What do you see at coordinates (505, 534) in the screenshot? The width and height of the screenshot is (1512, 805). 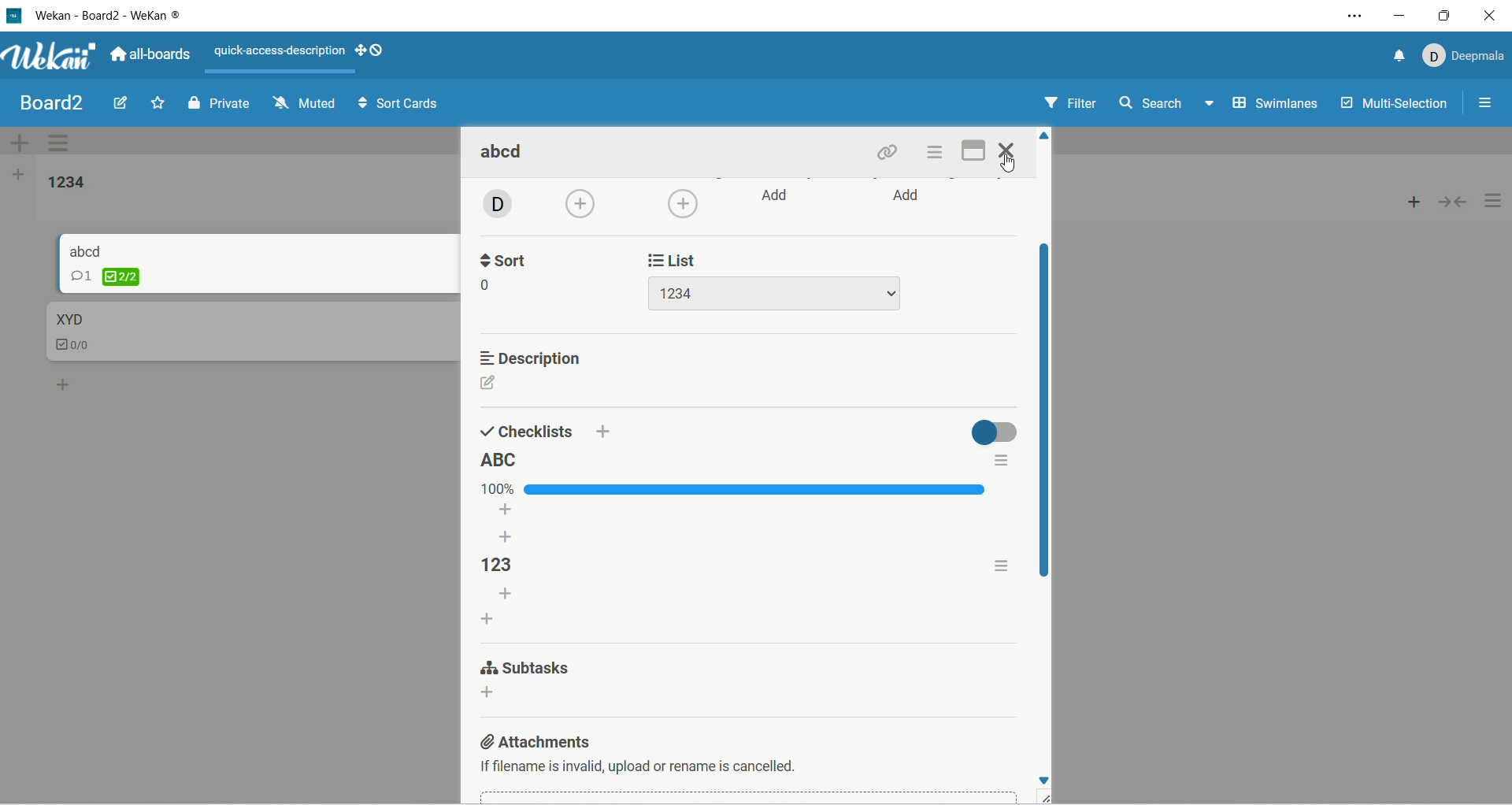 I see `add` at bounding box center [505, 534].